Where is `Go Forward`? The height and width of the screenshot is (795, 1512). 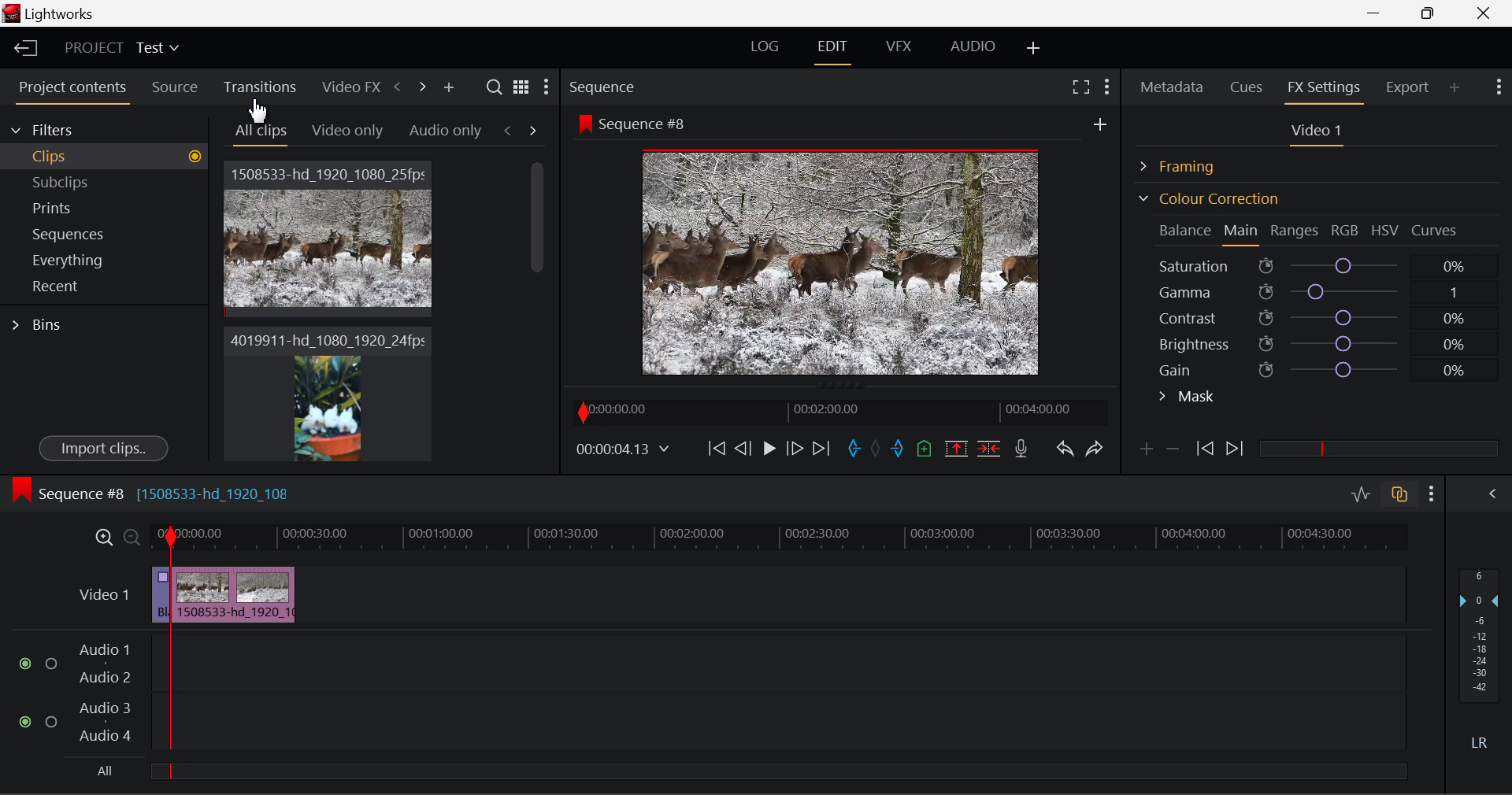 Go Forward is located at coordinates (795, 448).